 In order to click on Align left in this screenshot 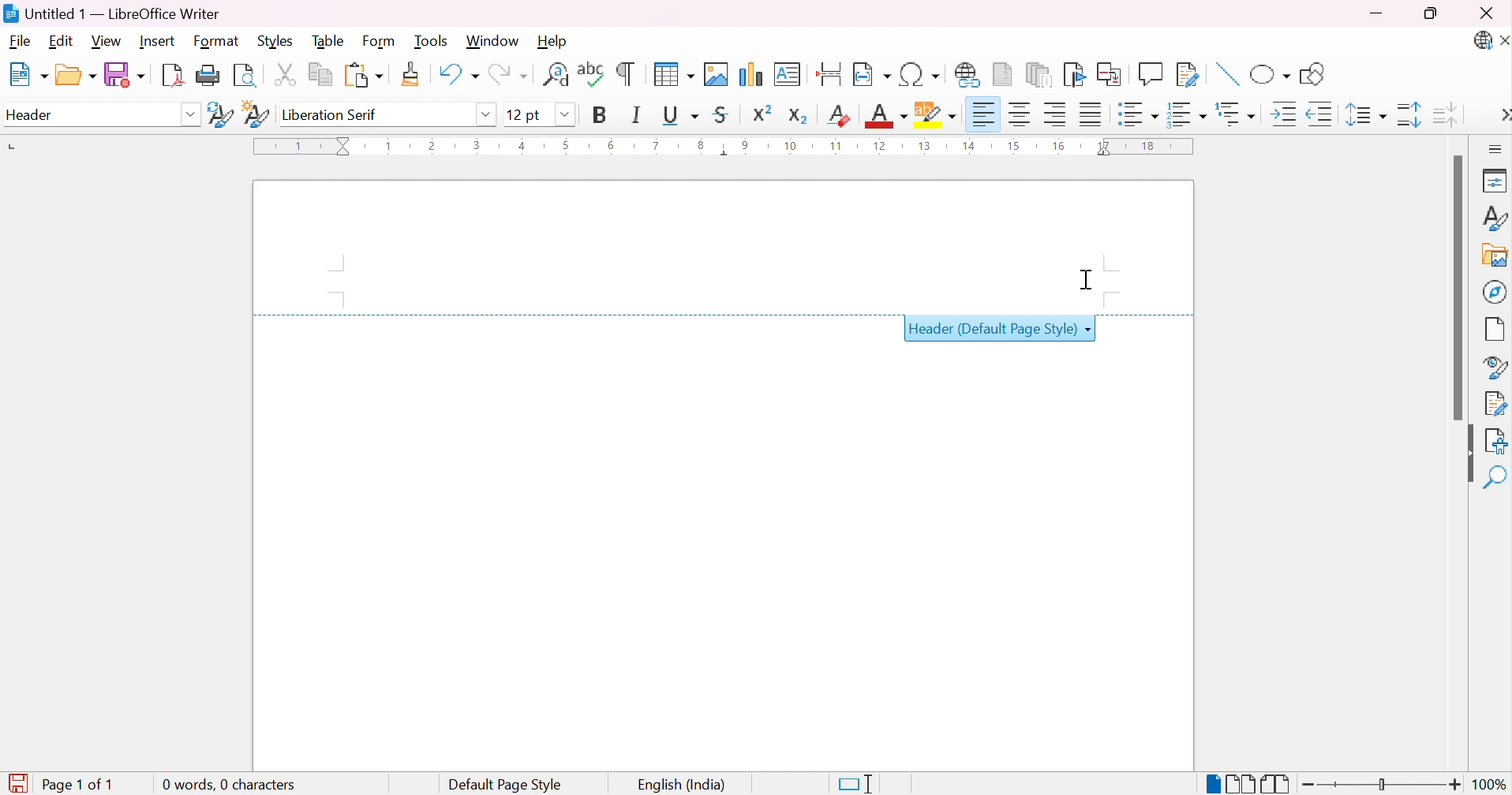, I will do `click(986, 114)`.